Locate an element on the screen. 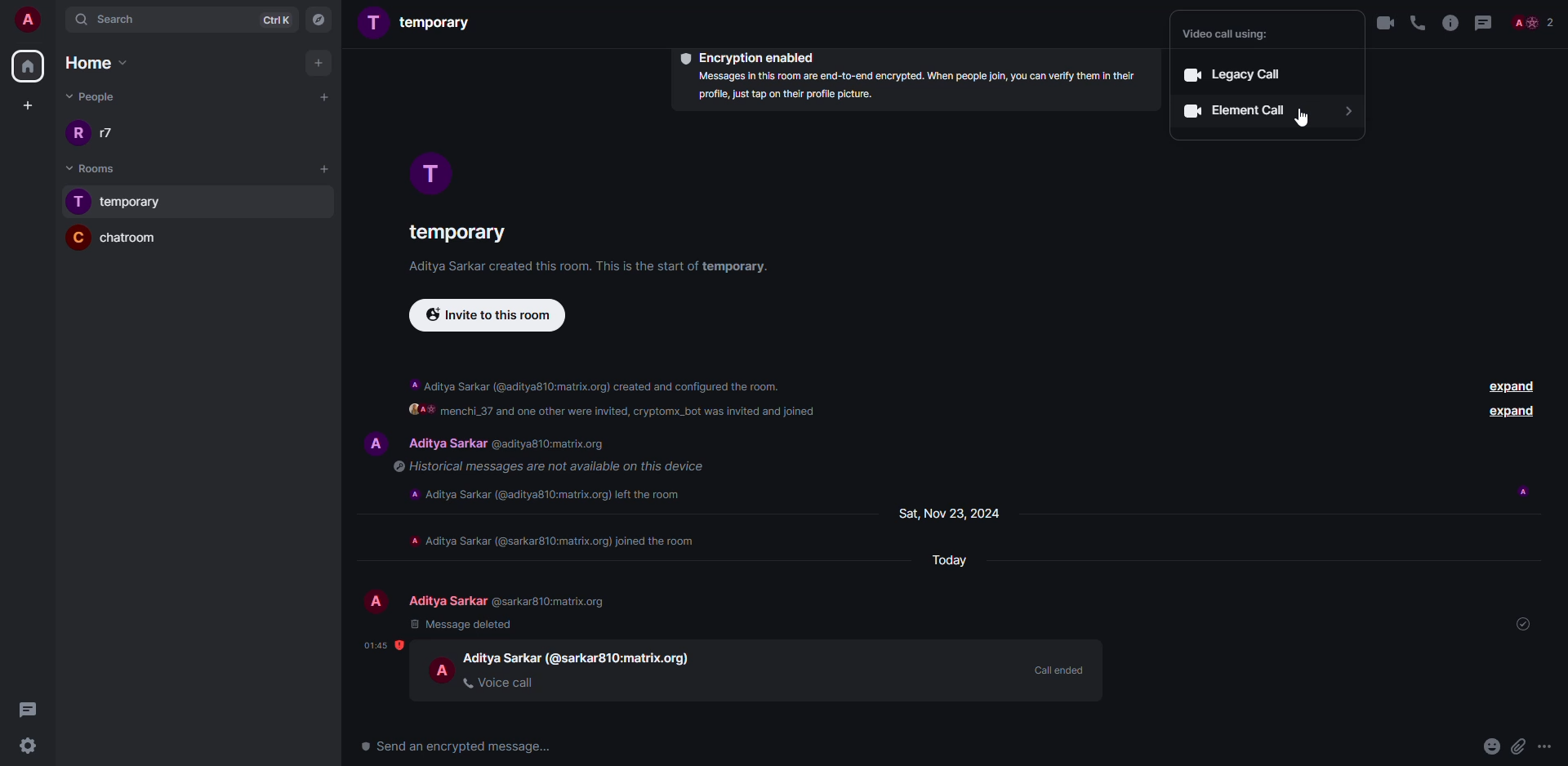 This screenshot has width=1568, height=766. threads is located at coordinates (29, 708).